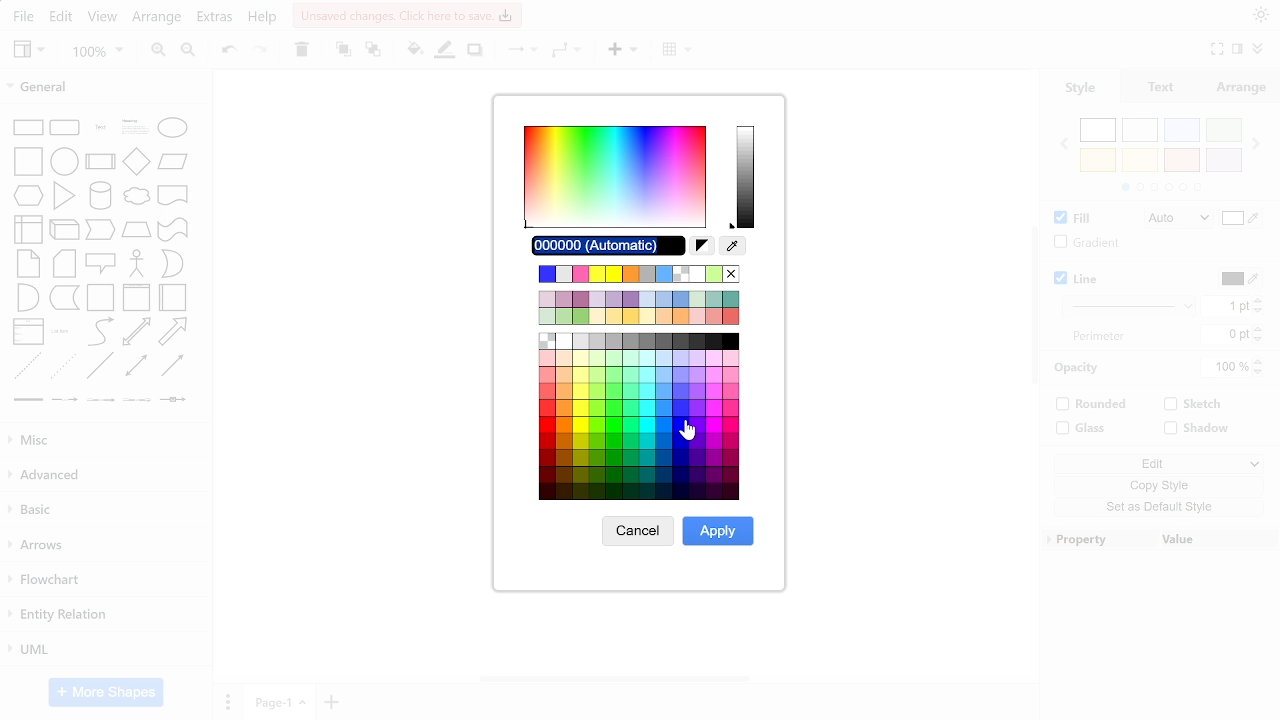 This screenshot has width=1280, height=720. What do you see at coordinates (1097, 539) in the screenshot?
I see `property` at bounding box center [1097, 539].